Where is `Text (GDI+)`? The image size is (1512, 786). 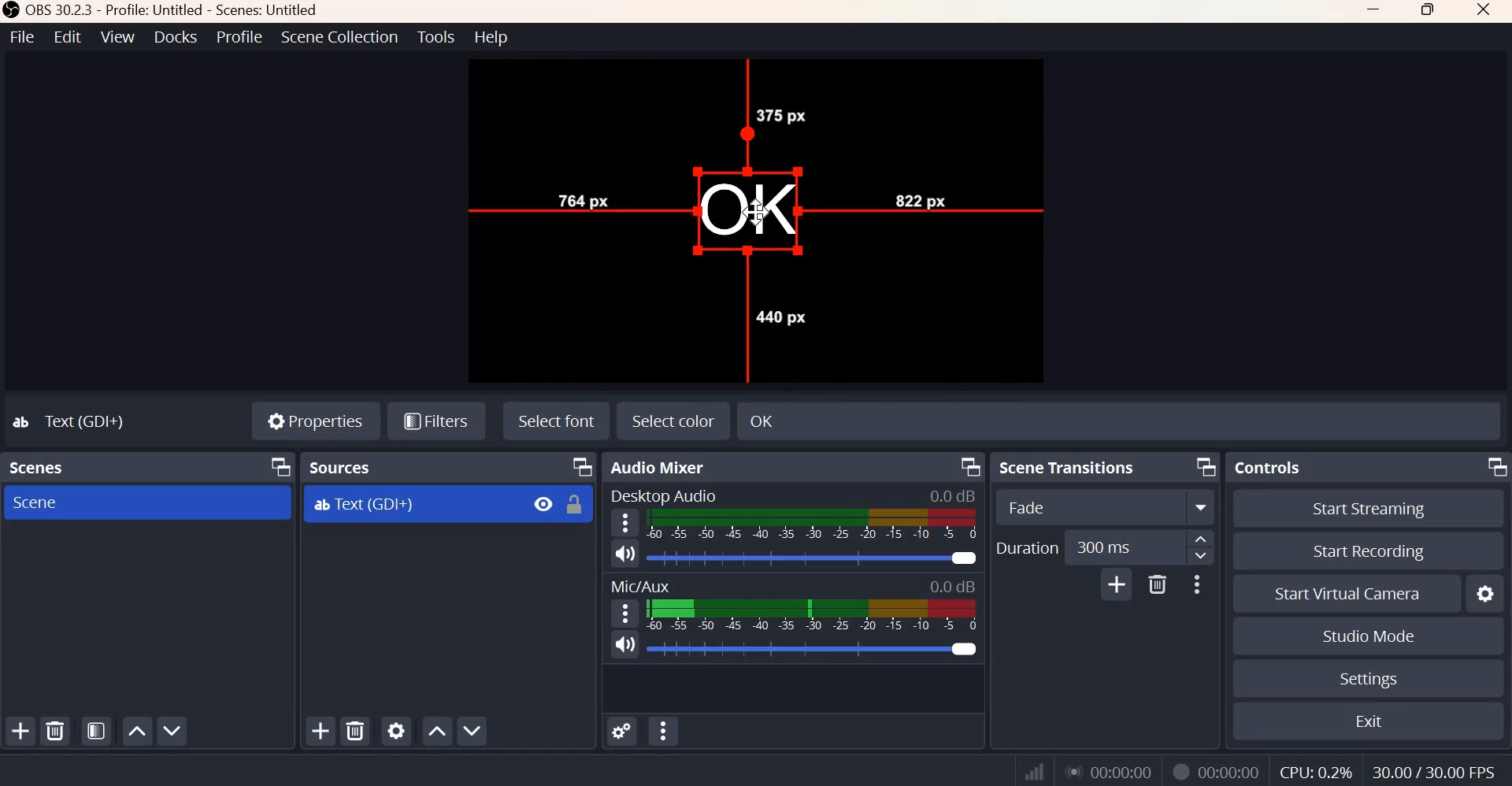
Text (GDI+) is located at coordinates (364, 505).